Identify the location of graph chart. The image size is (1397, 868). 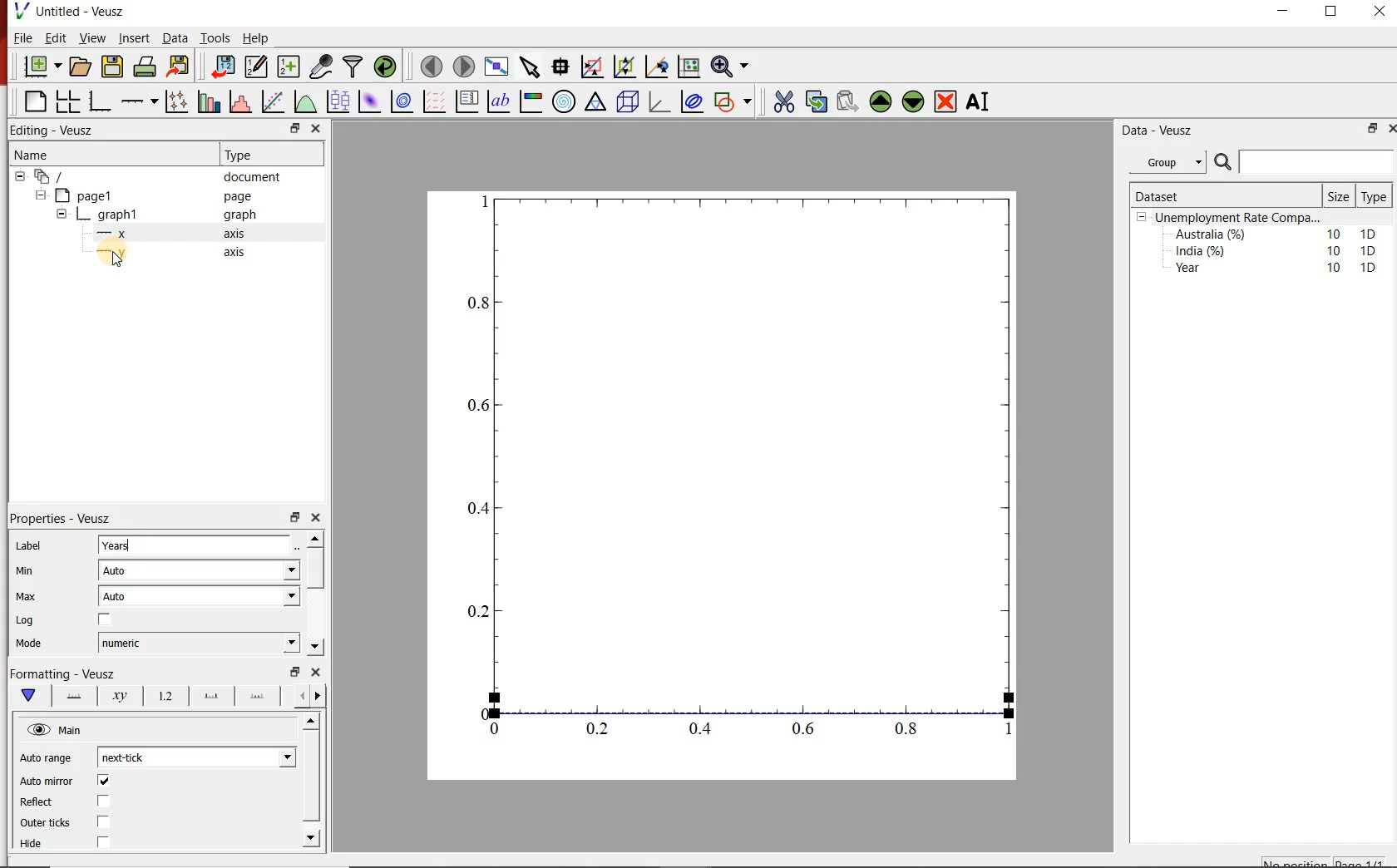
(723, 486).